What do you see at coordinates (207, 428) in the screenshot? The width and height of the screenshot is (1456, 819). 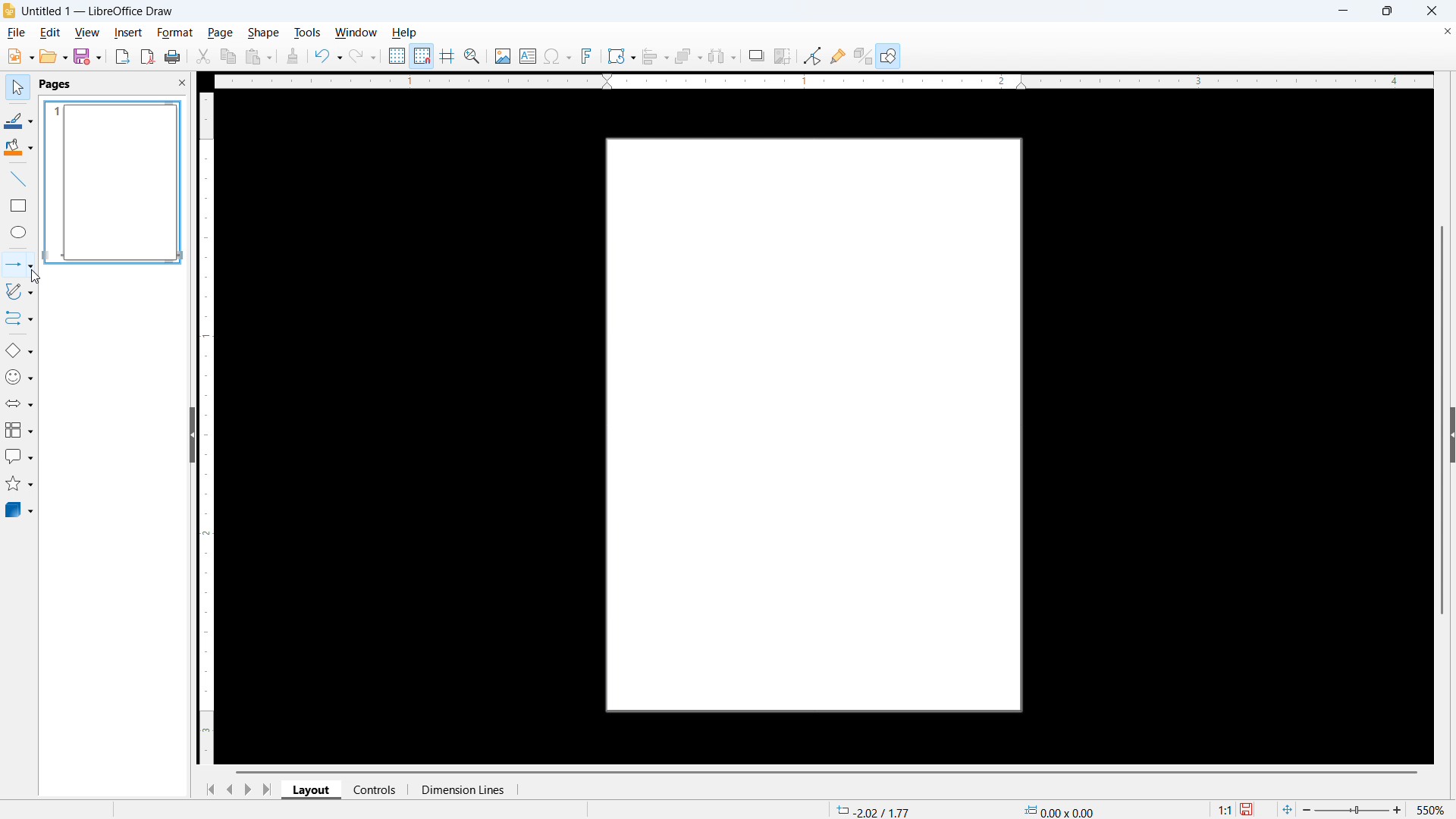 I see `Vertical ruler ` at bounding box center [207, 428].